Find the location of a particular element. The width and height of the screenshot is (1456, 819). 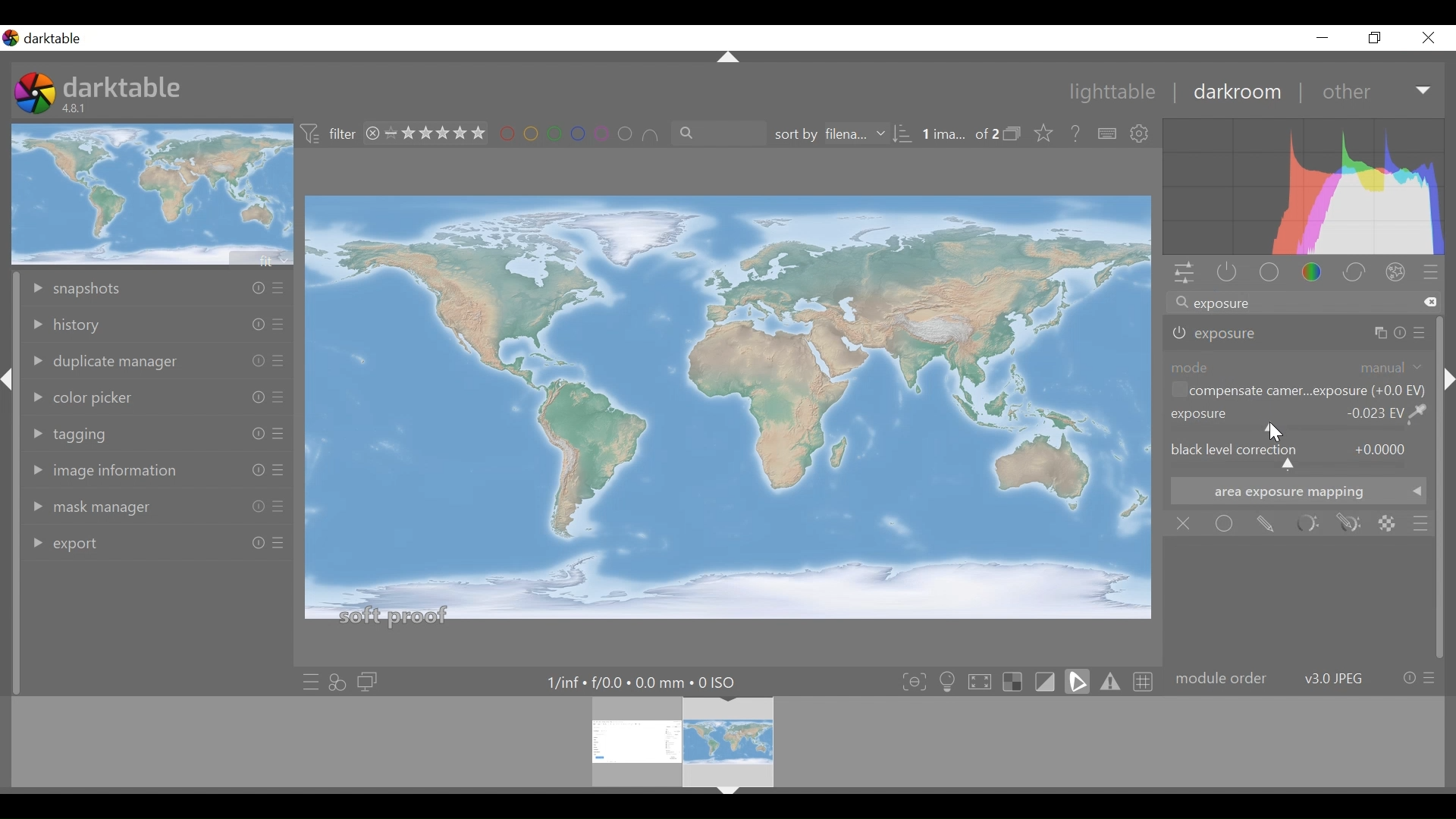

 is located at coordinates (249, 470).